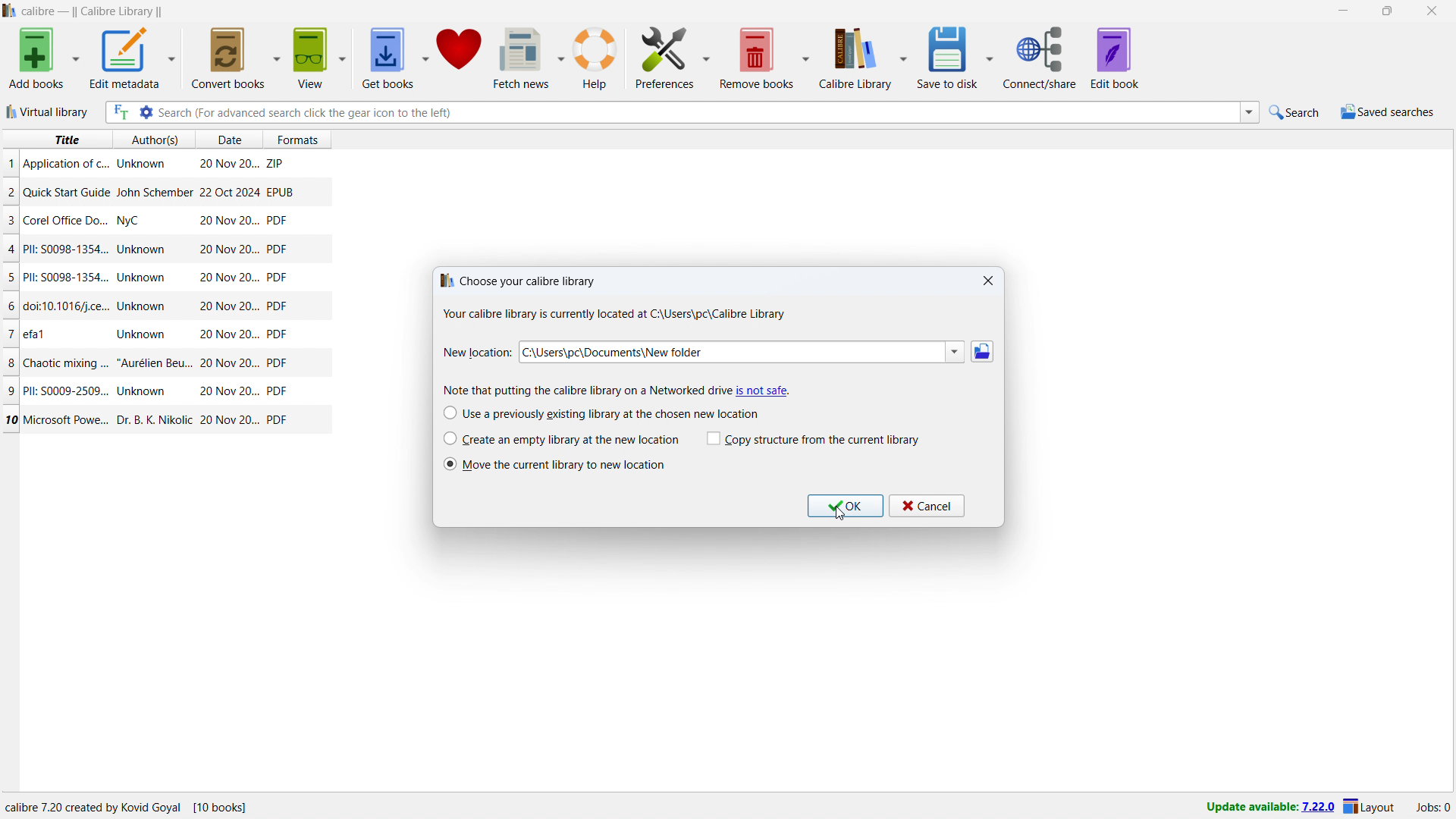  I want to click on New location, so click(477, 353).